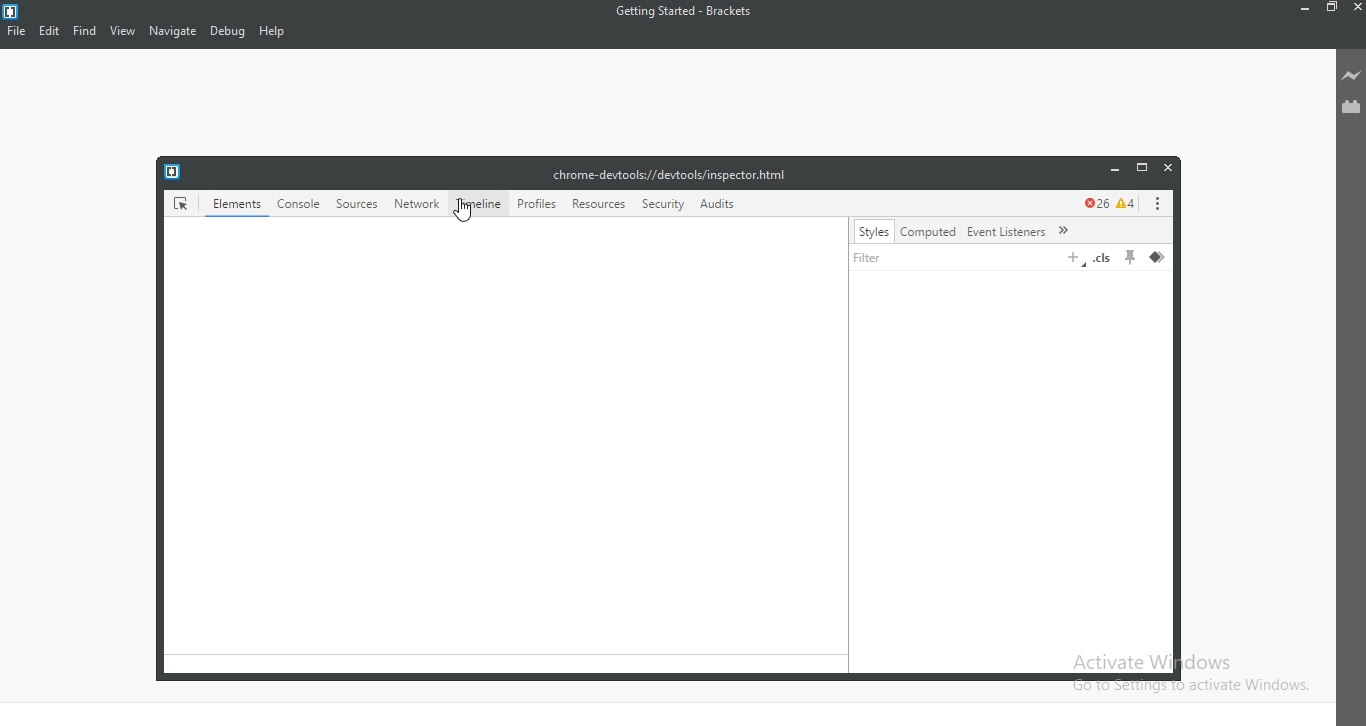  I want to click on timeline, so click(479, 202).